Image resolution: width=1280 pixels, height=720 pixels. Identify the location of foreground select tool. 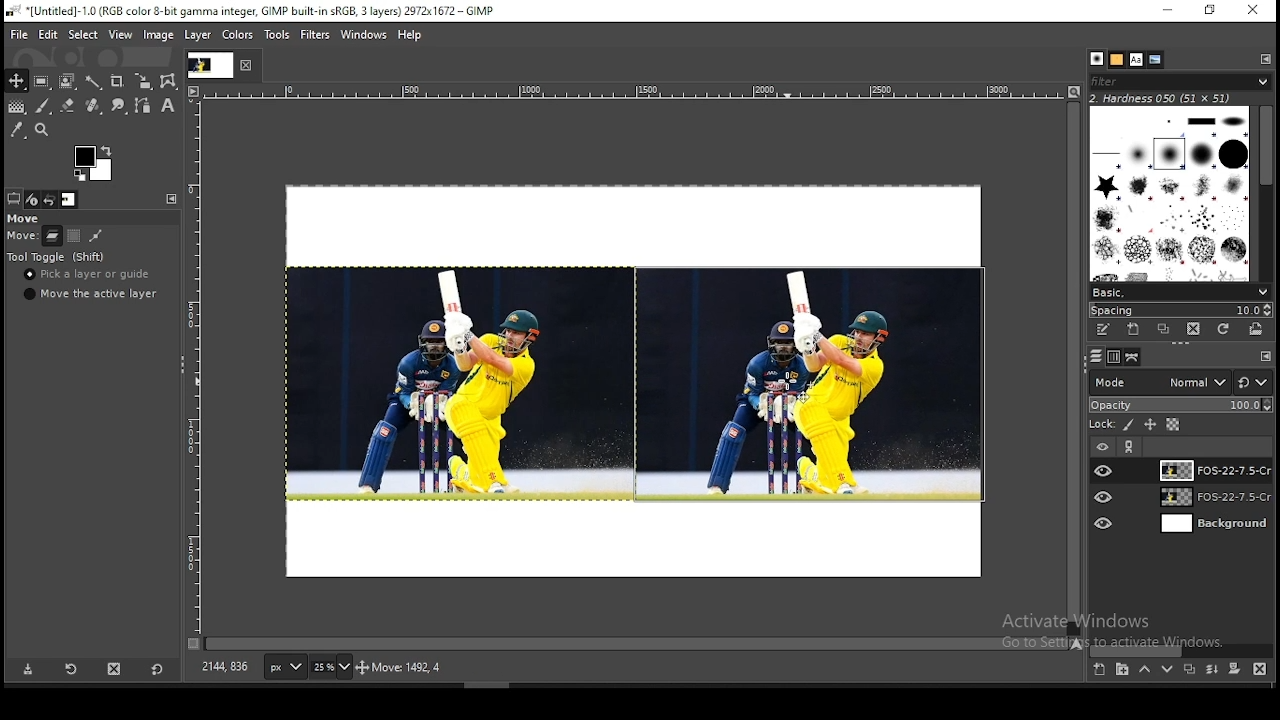
(68, 79).